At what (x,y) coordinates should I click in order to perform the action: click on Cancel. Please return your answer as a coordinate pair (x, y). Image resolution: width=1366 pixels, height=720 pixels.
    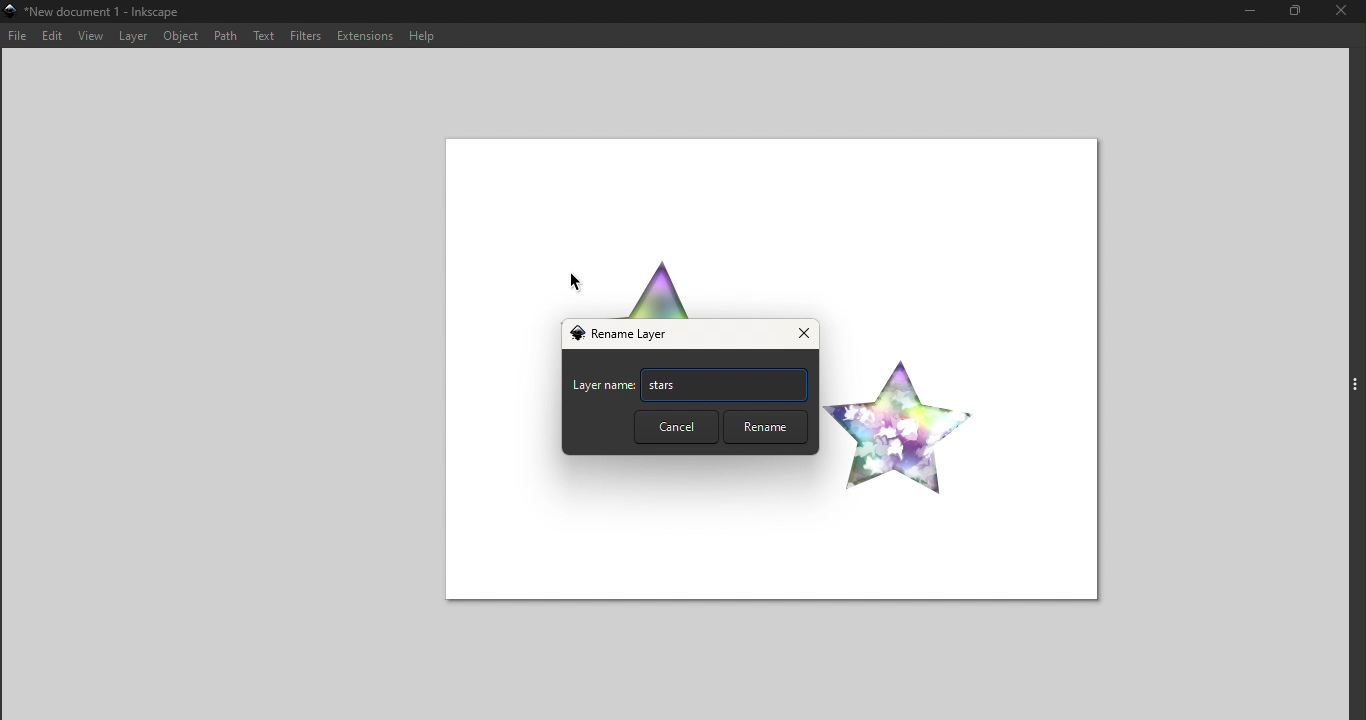
    Looking at the image, I should click on (675, 427).